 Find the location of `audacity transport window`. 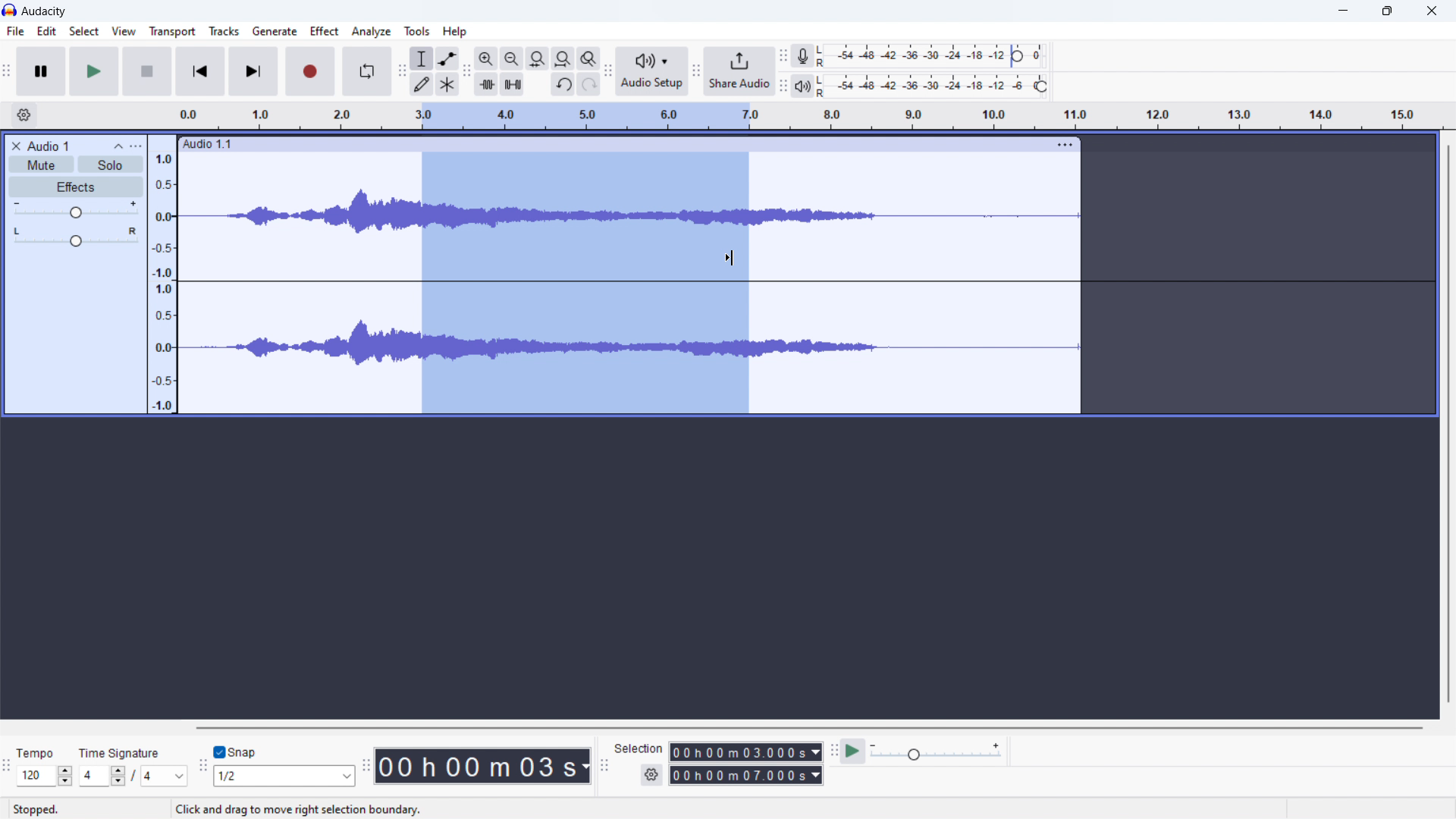

audacity transport window is located at coordinates (7, 70).